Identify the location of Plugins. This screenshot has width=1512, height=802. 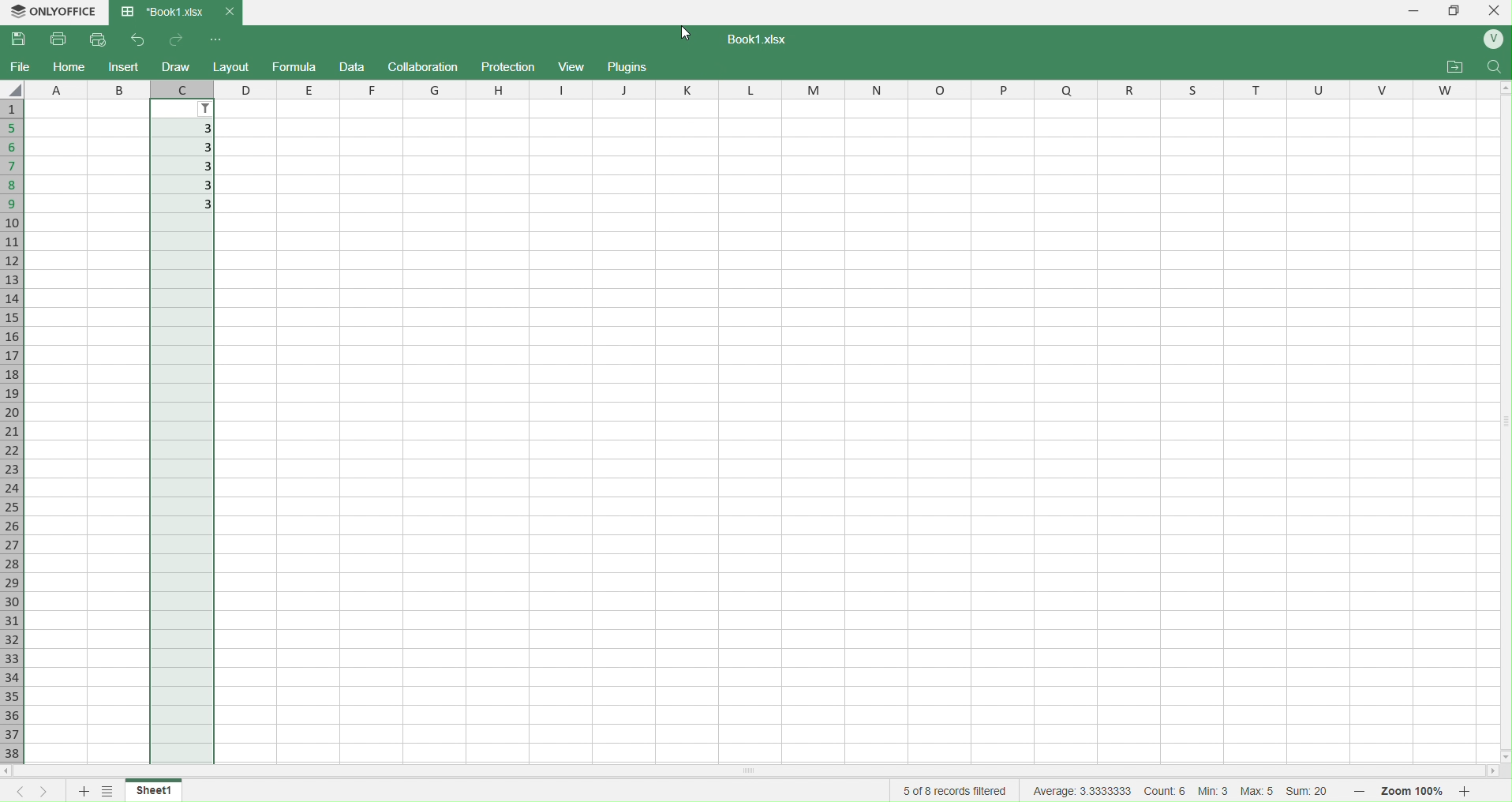
(627, 66).